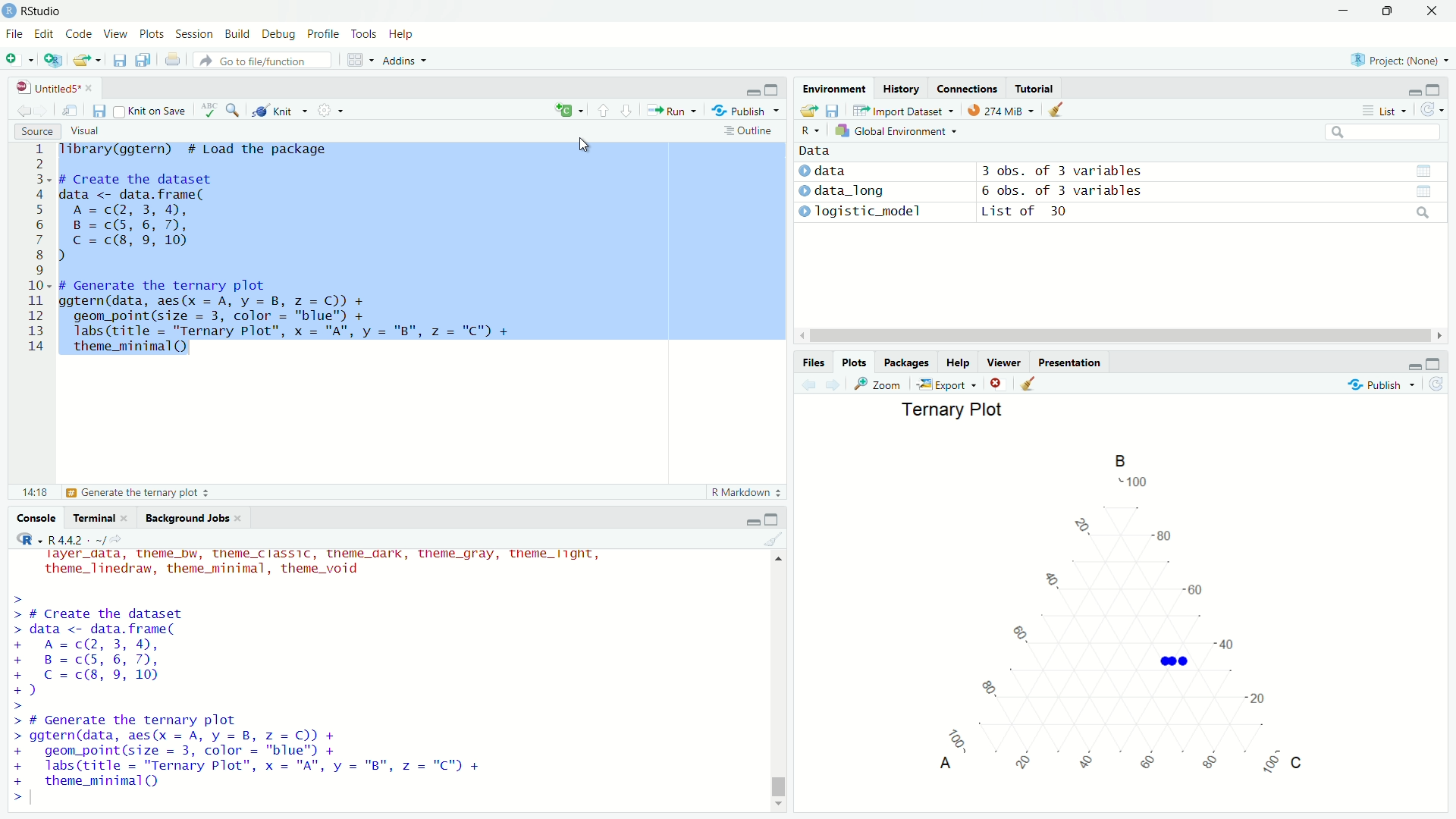  I want to click on view, so click(1431, 191).